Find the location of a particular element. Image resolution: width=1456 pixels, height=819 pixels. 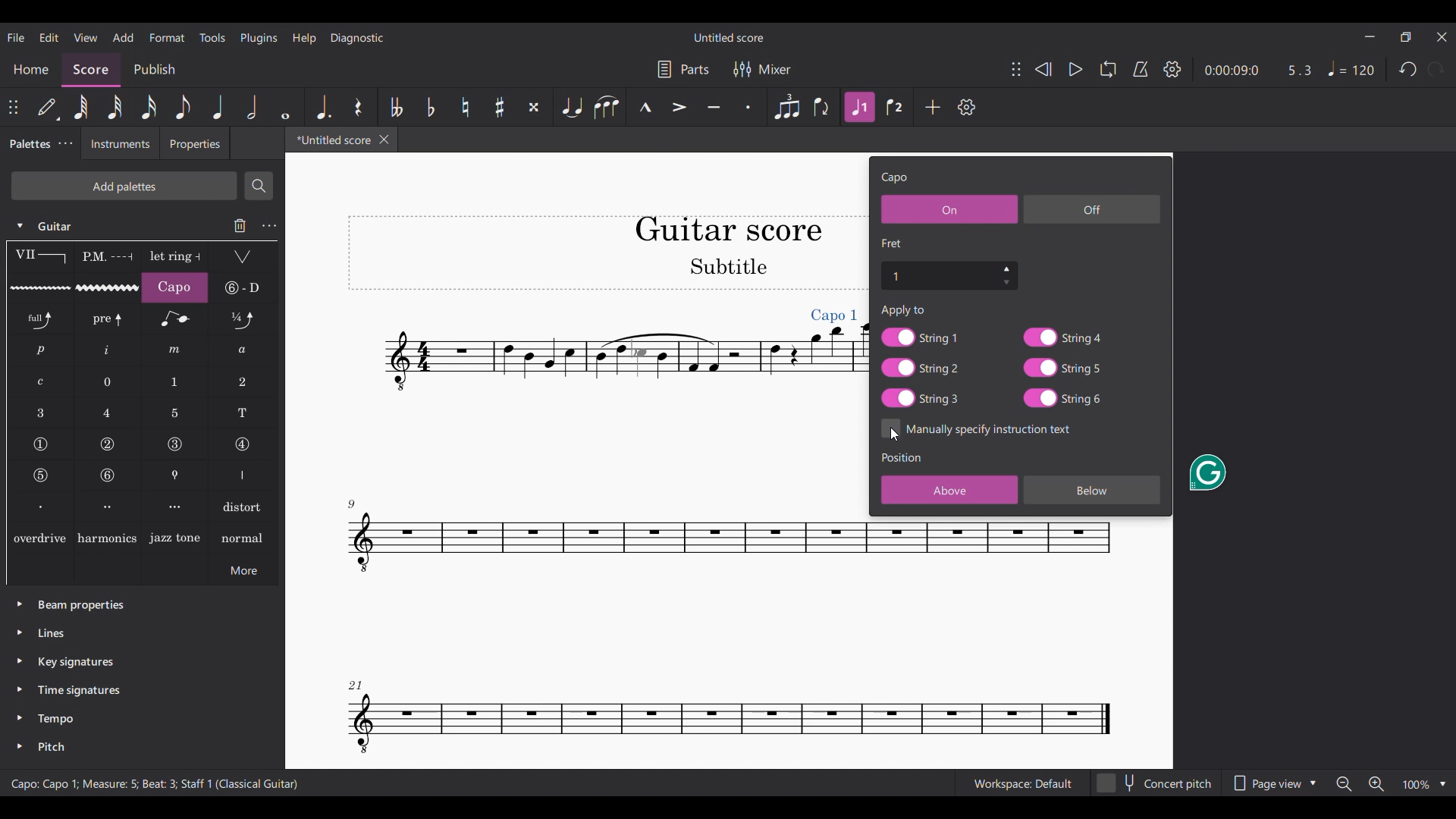

Capo is located at coordinates (174, 287).